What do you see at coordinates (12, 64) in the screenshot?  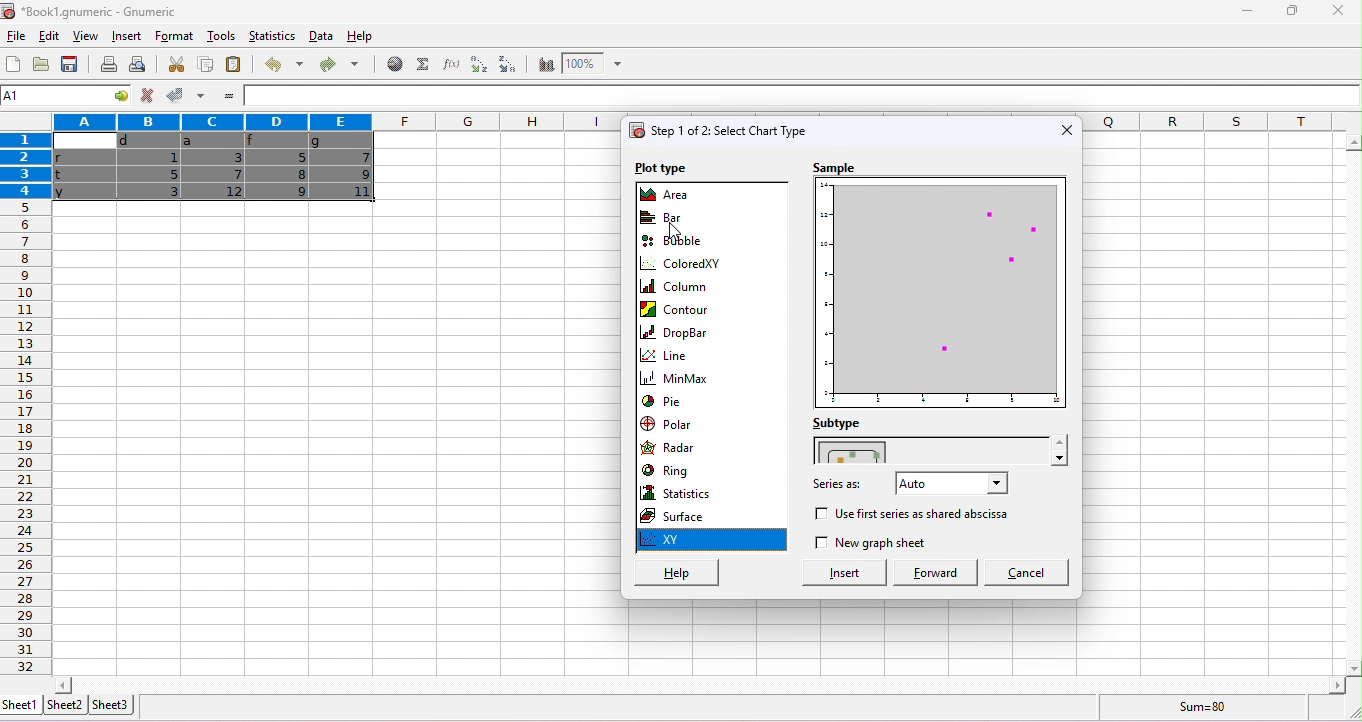 I see `new` at bounding box center [12, 64].